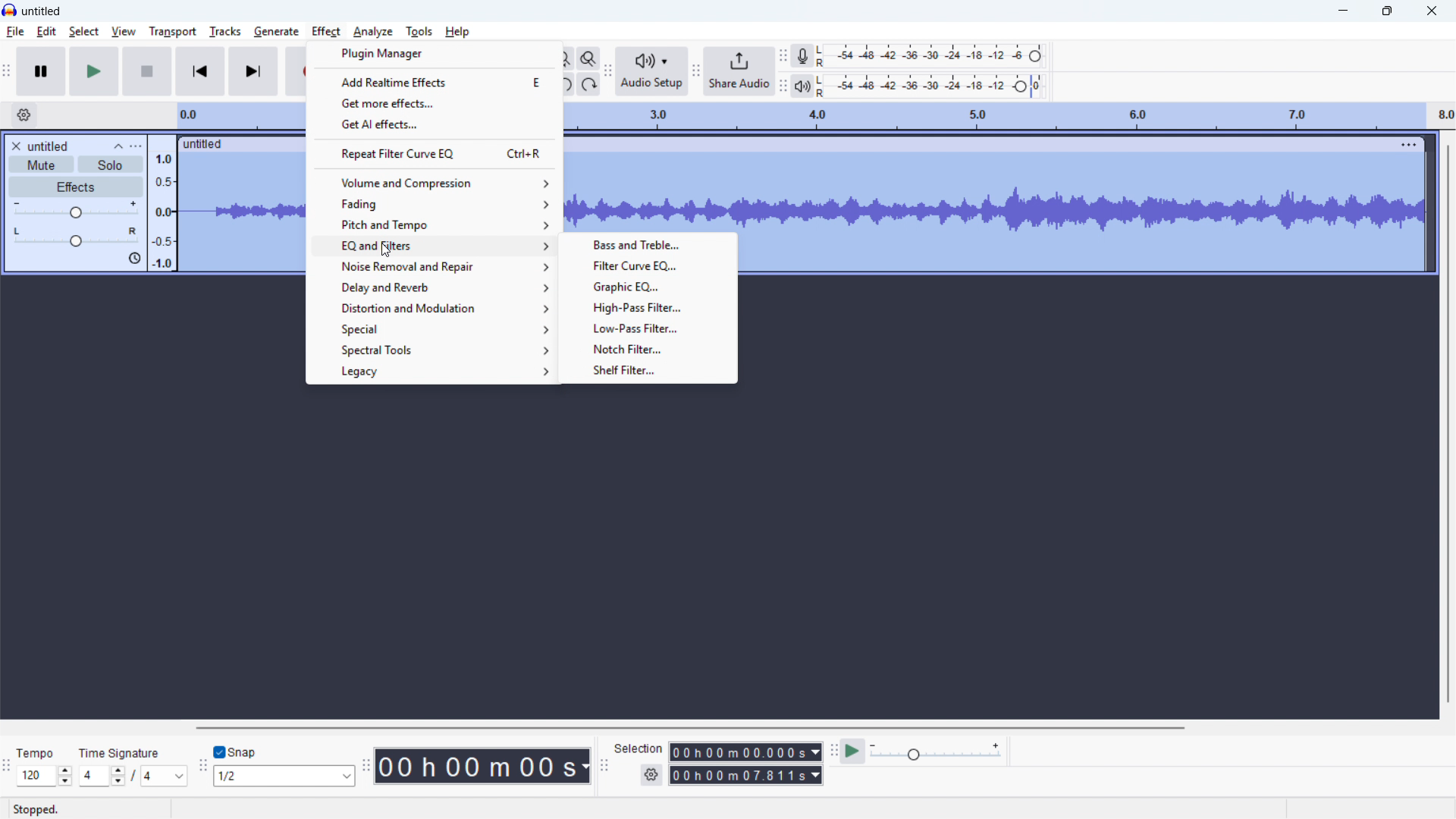 Image resolution: width=1456 pixels, height=819 pixels. I want to click on file, so click(16, 32).